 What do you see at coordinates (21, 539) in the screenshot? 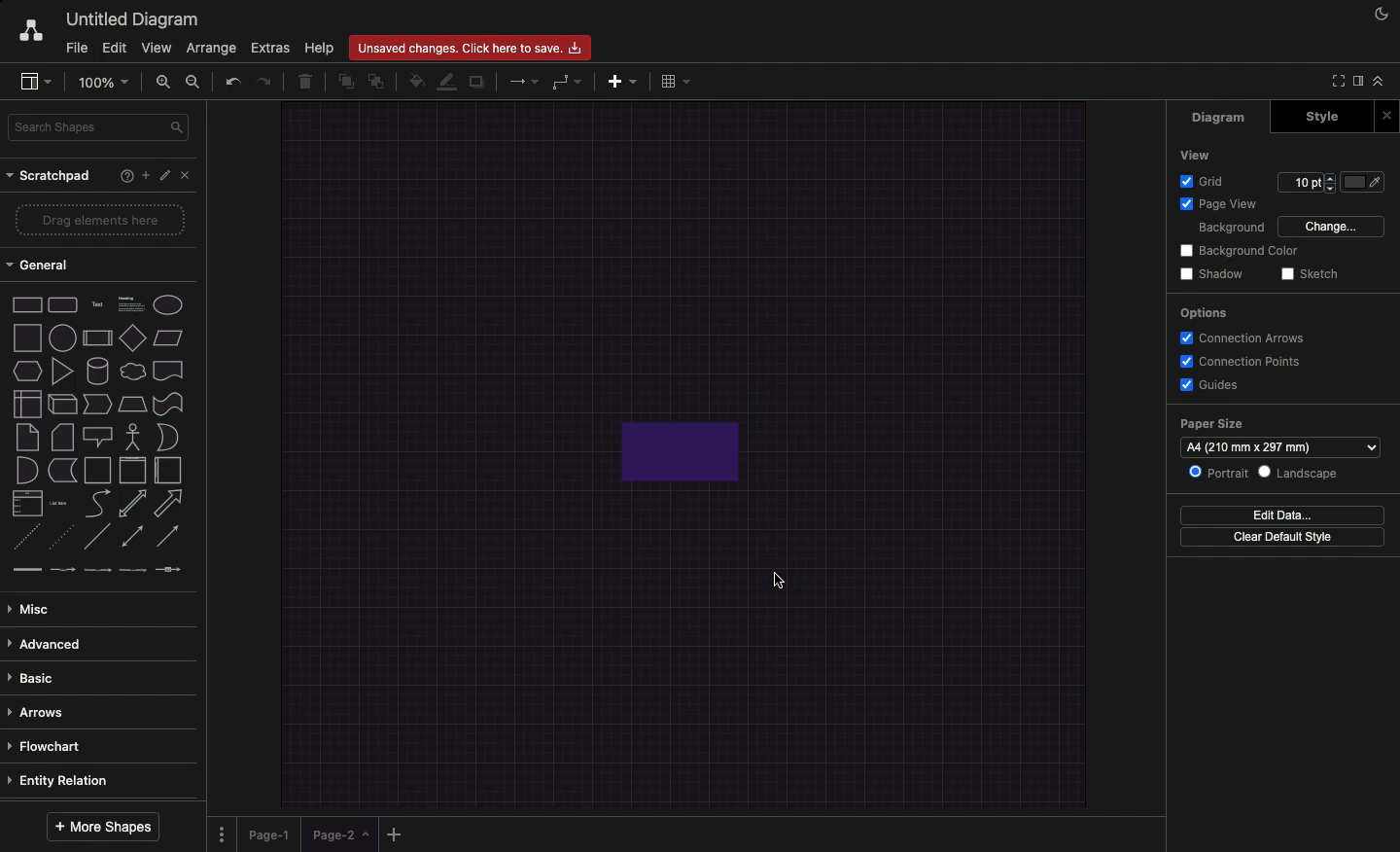
I see `dashed line` at bounding box center [21, 539].